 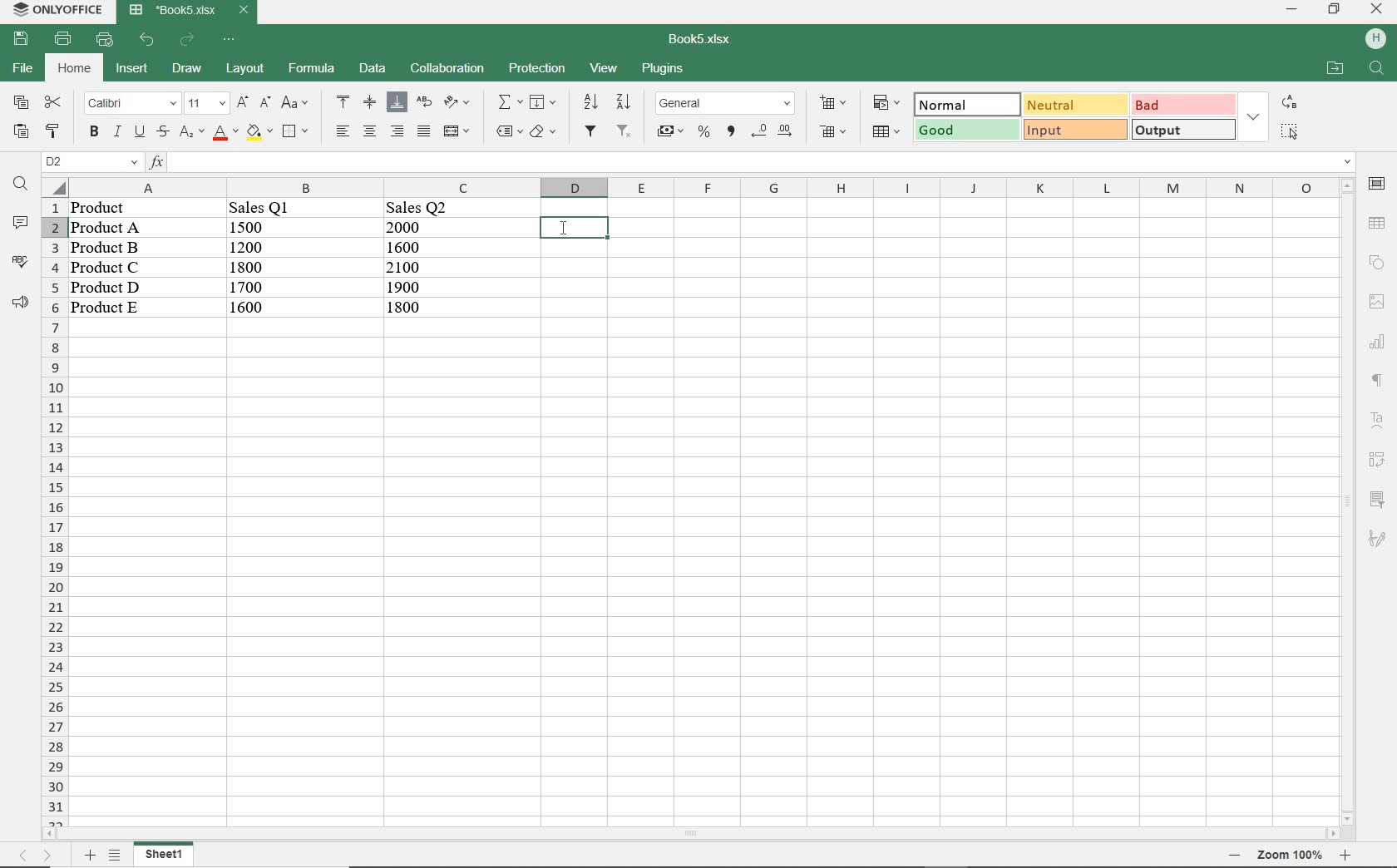 What do you see at coordinates (1350, 501) in the screenshot?
I see `scrollbar` at bounding box center [1350, 501].